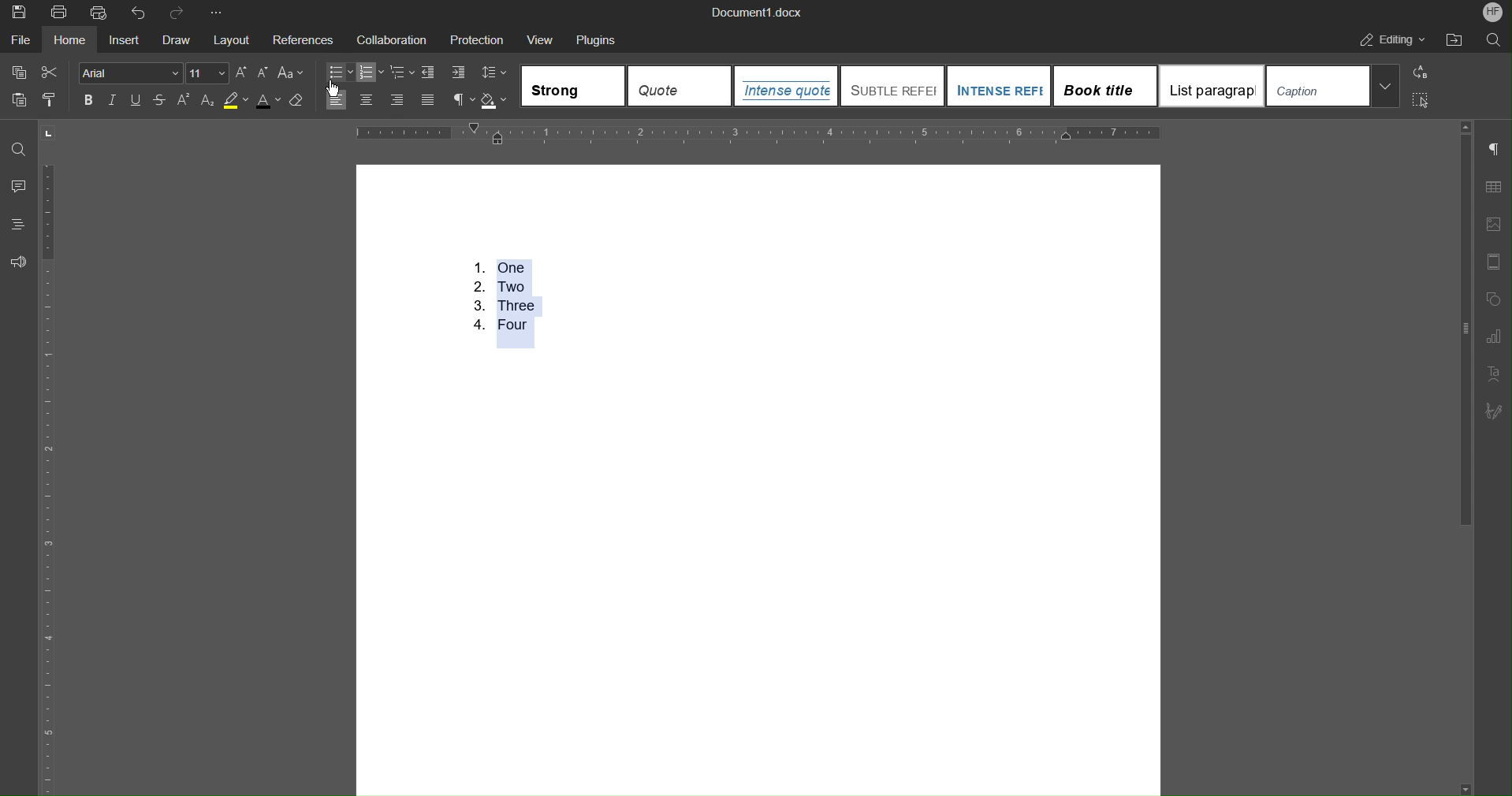 Image resolution: width=1512 pixels, height=796 pixels. What do you see at coordinates (88, 101) in the screenshot?
I see `Bold` at bounding box center [88, 101].